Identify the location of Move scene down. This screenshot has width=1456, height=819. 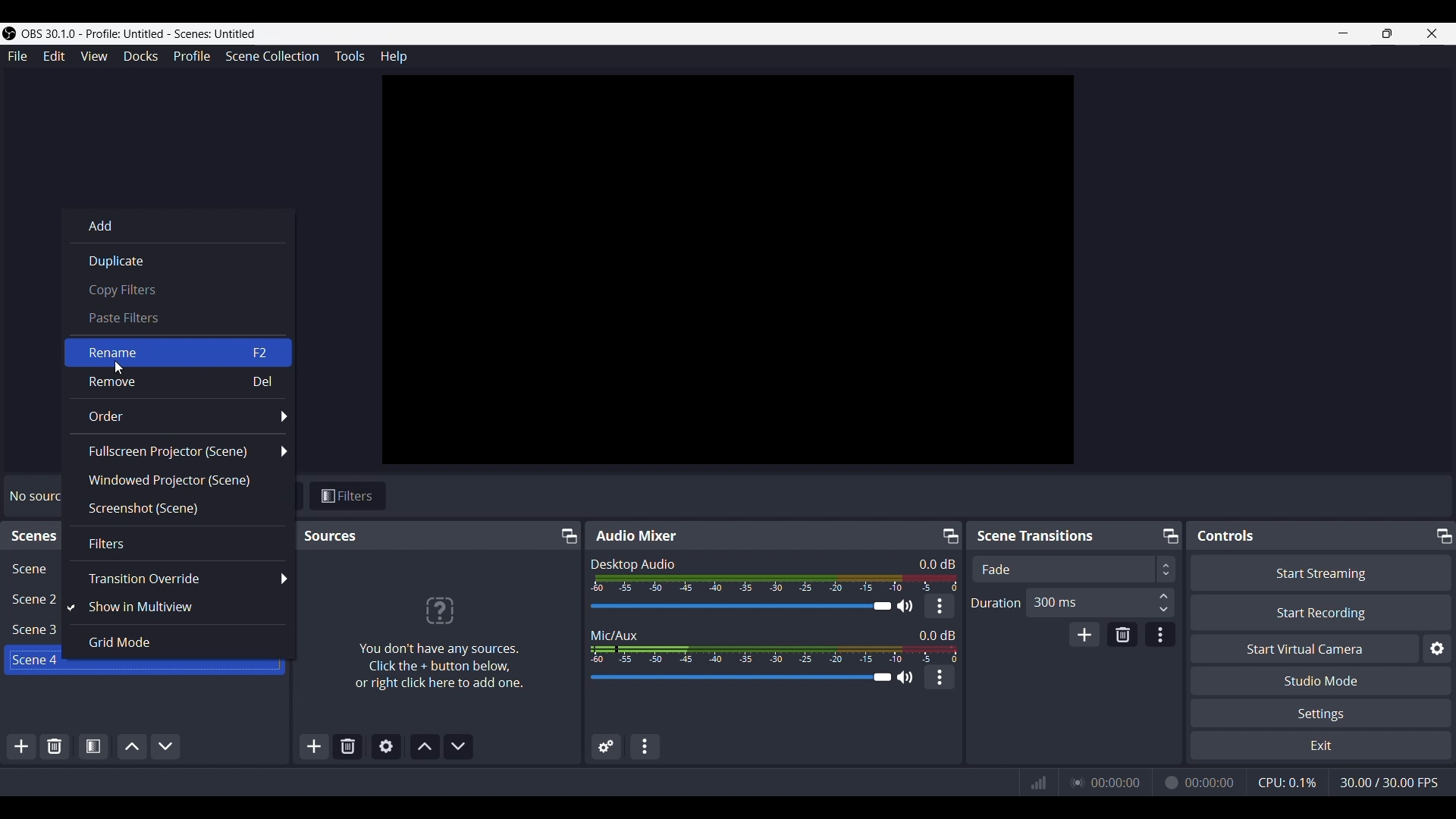
(166, 745).